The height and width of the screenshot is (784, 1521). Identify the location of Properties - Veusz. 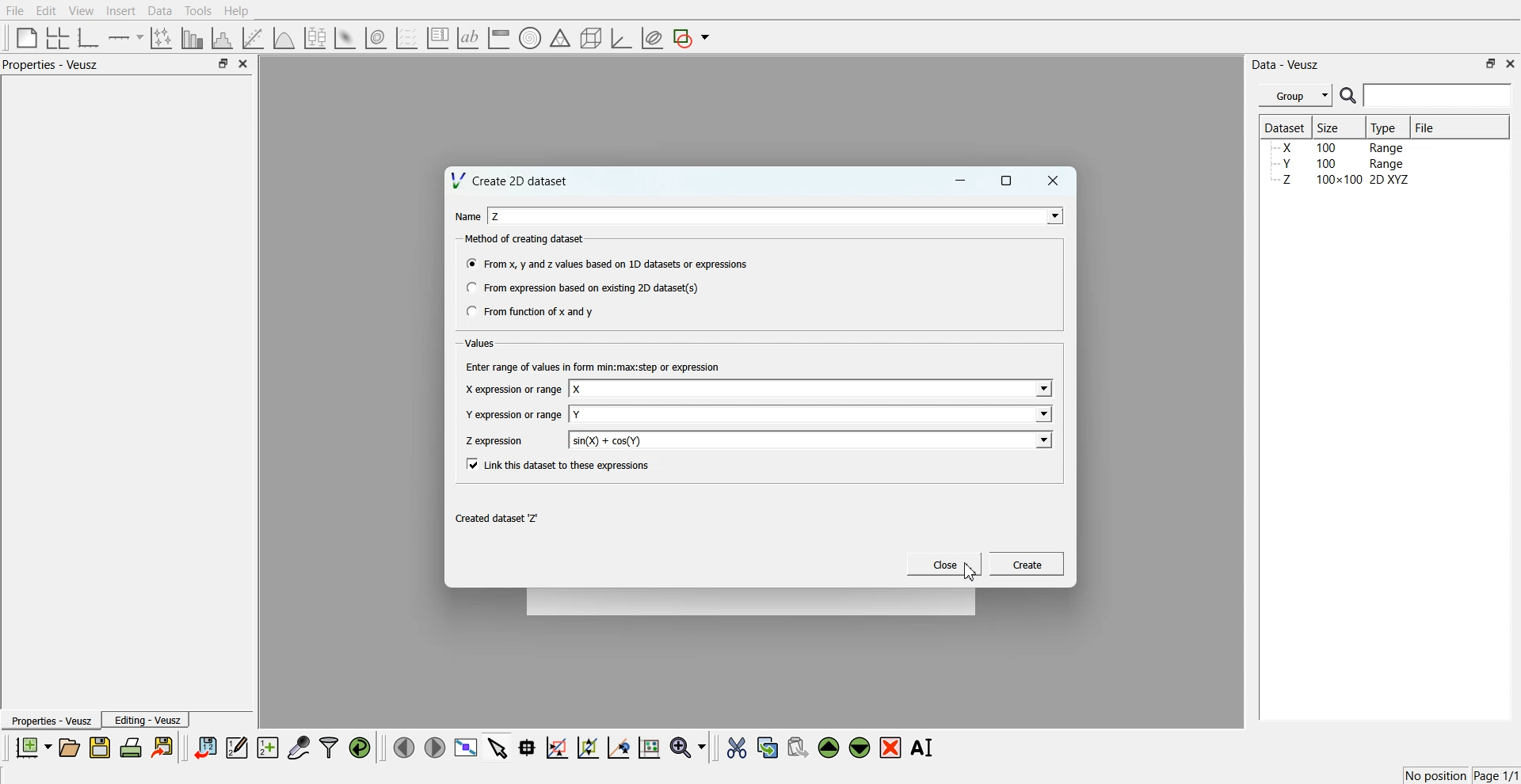
(50, 720).